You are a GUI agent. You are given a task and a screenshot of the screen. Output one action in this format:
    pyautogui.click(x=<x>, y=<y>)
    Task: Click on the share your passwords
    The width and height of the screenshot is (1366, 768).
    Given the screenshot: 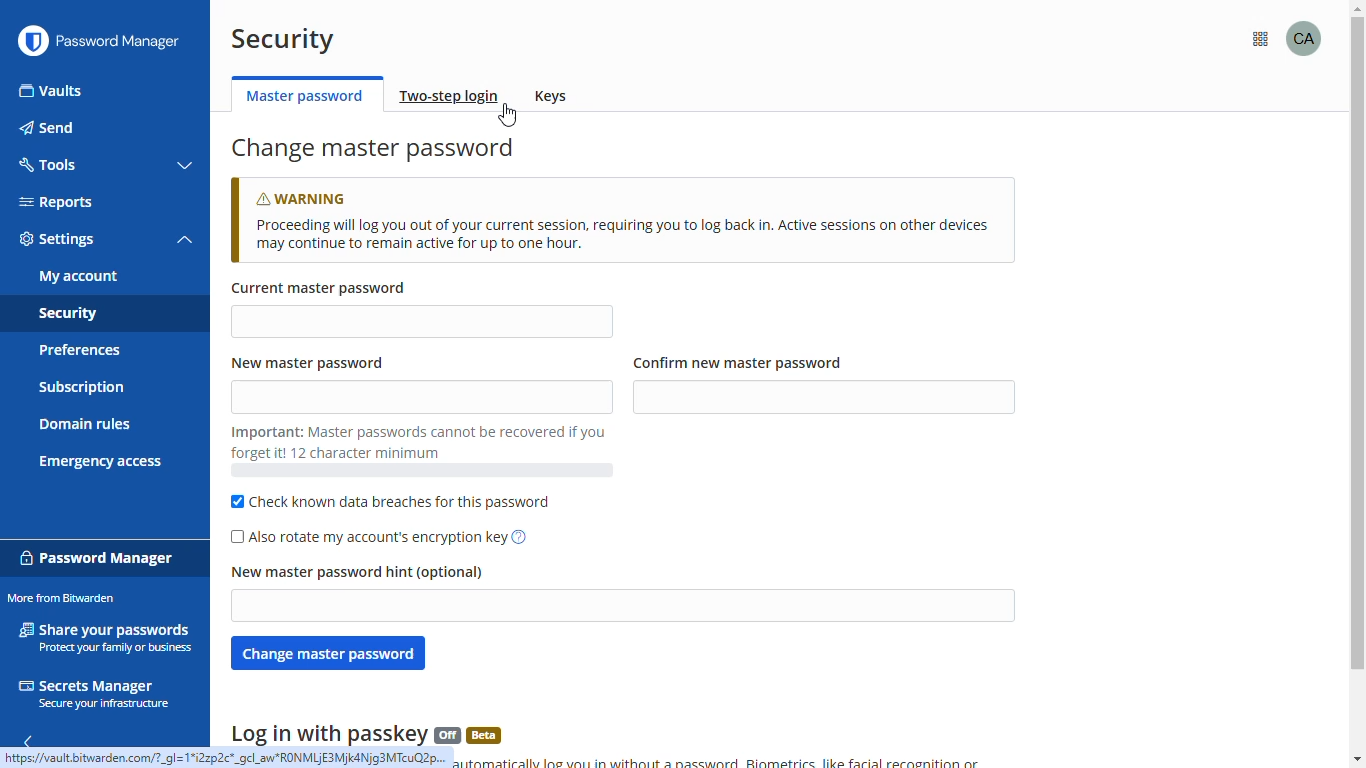 What is the action you would take?
    pyautogui.click(x=108, y=636)
    